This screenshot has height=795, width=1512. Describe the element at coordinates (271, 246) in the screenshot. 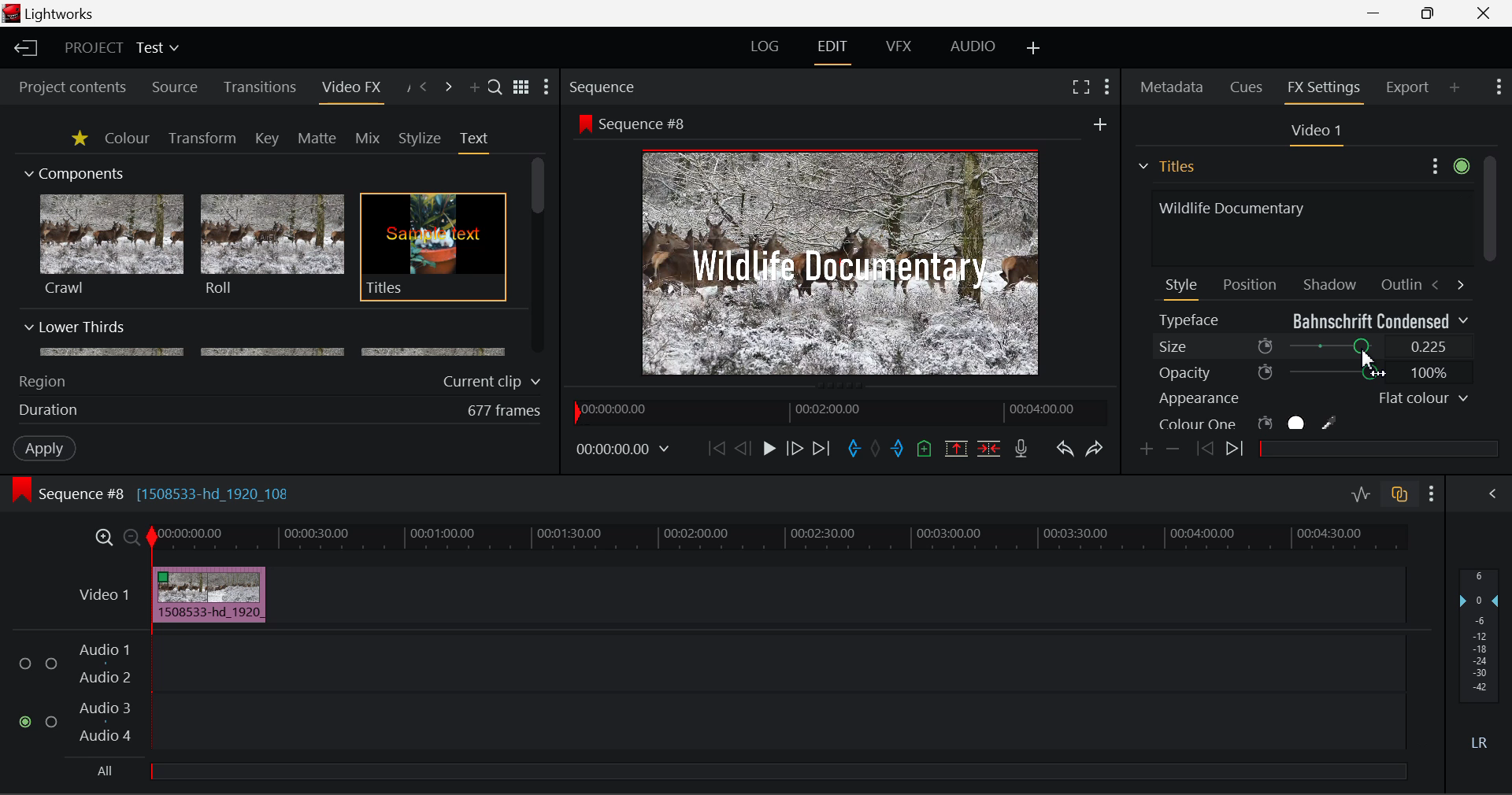

I see `Roll` at that location.